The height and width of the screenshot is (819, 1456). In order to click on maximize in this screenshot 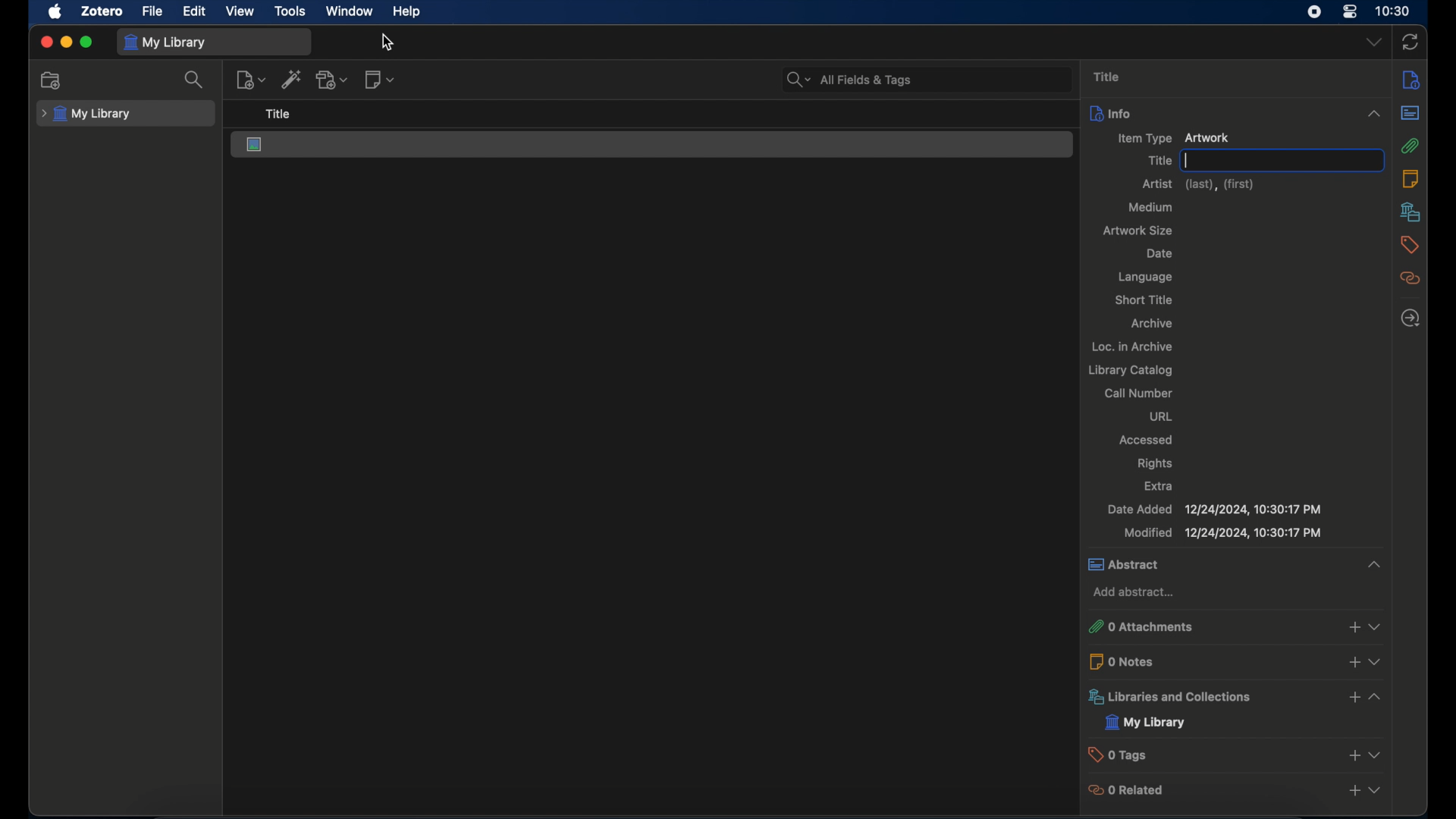, I will do `click(86, 42)`.